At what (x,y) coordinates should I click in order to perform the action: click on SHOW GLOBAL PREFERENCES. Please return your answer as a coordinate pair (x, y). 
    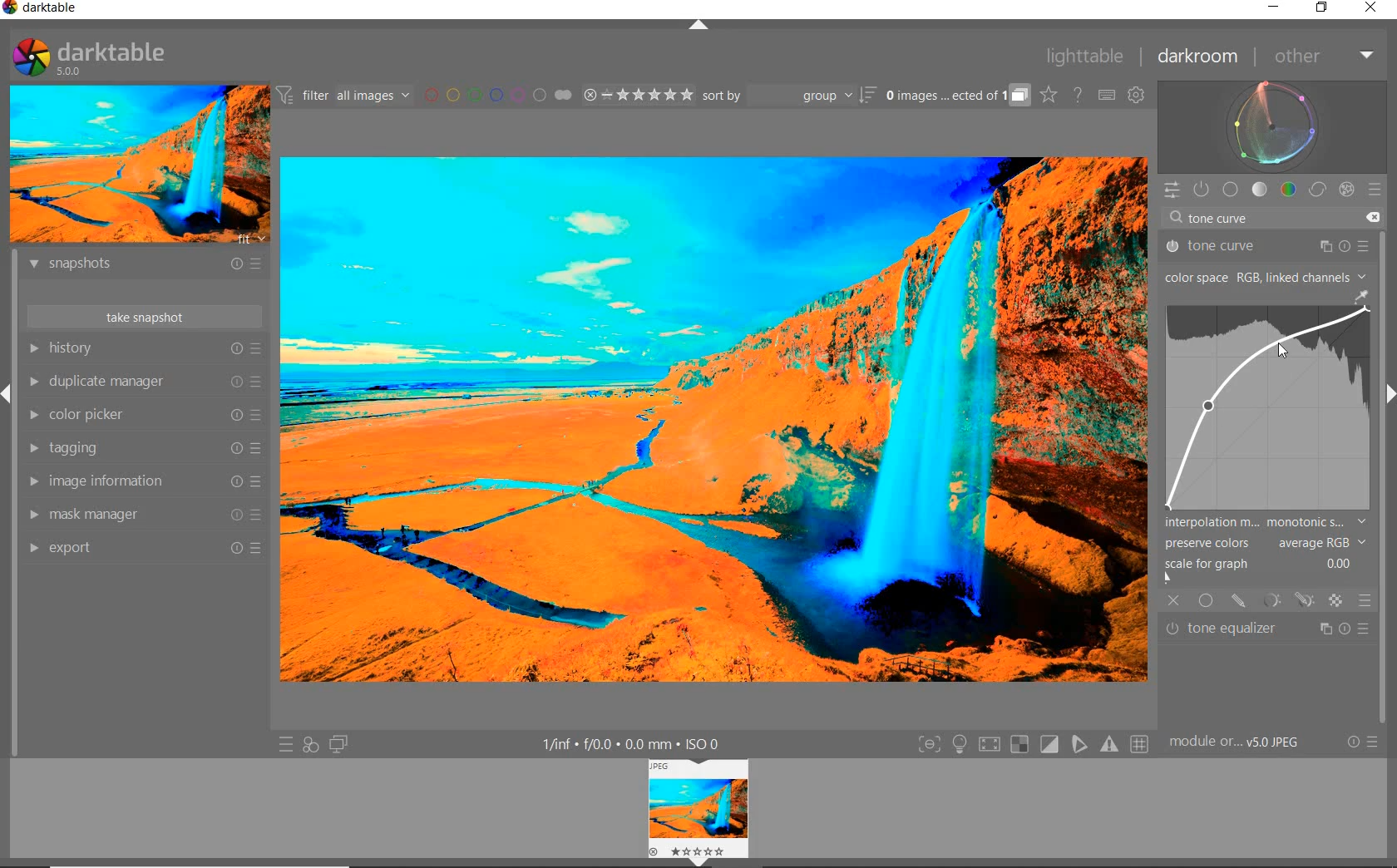
    Looking at the image, I should click on (1136, 95).